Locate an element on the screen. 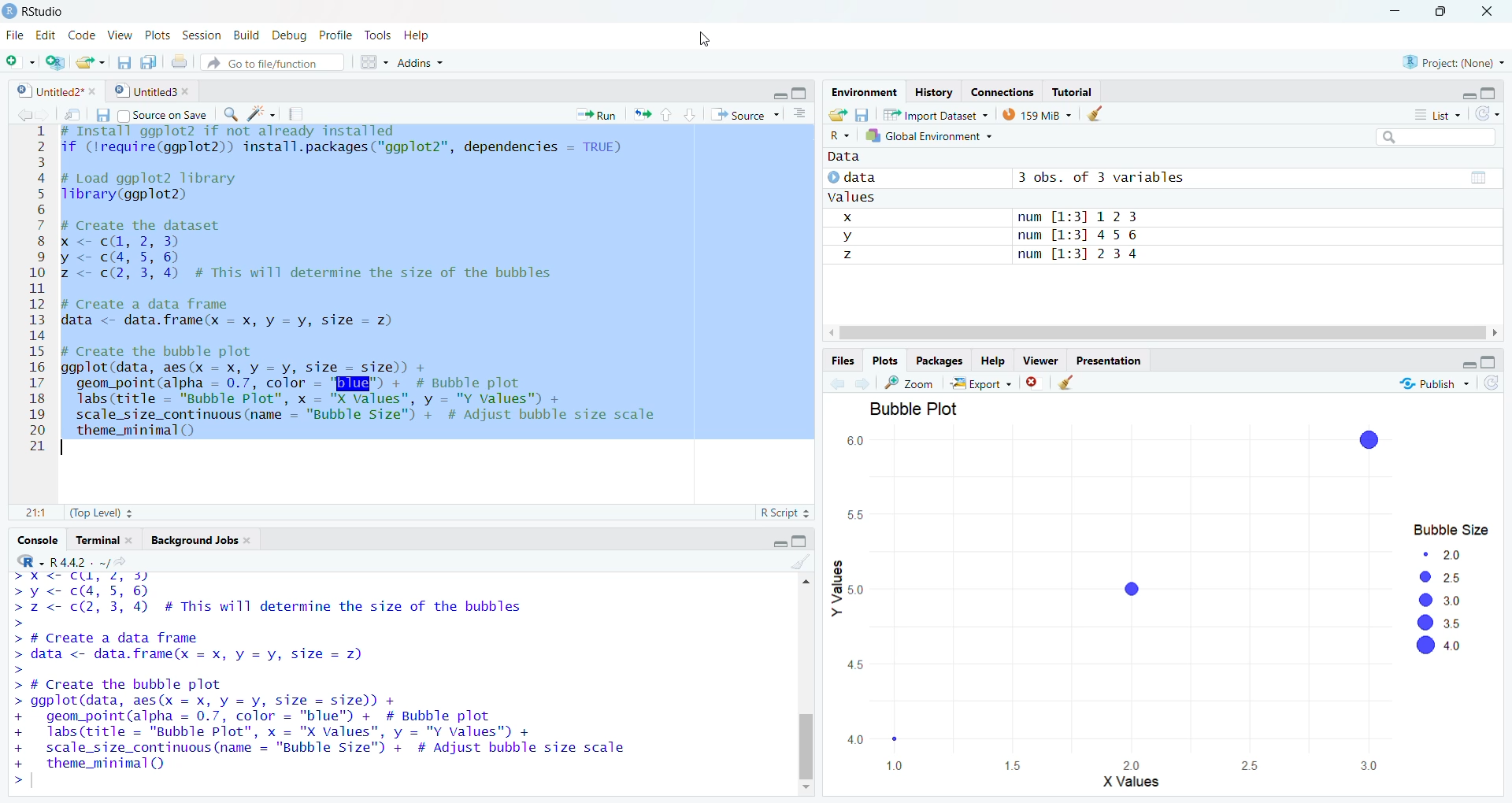  Source on Save is located at coordinates (165, 115).